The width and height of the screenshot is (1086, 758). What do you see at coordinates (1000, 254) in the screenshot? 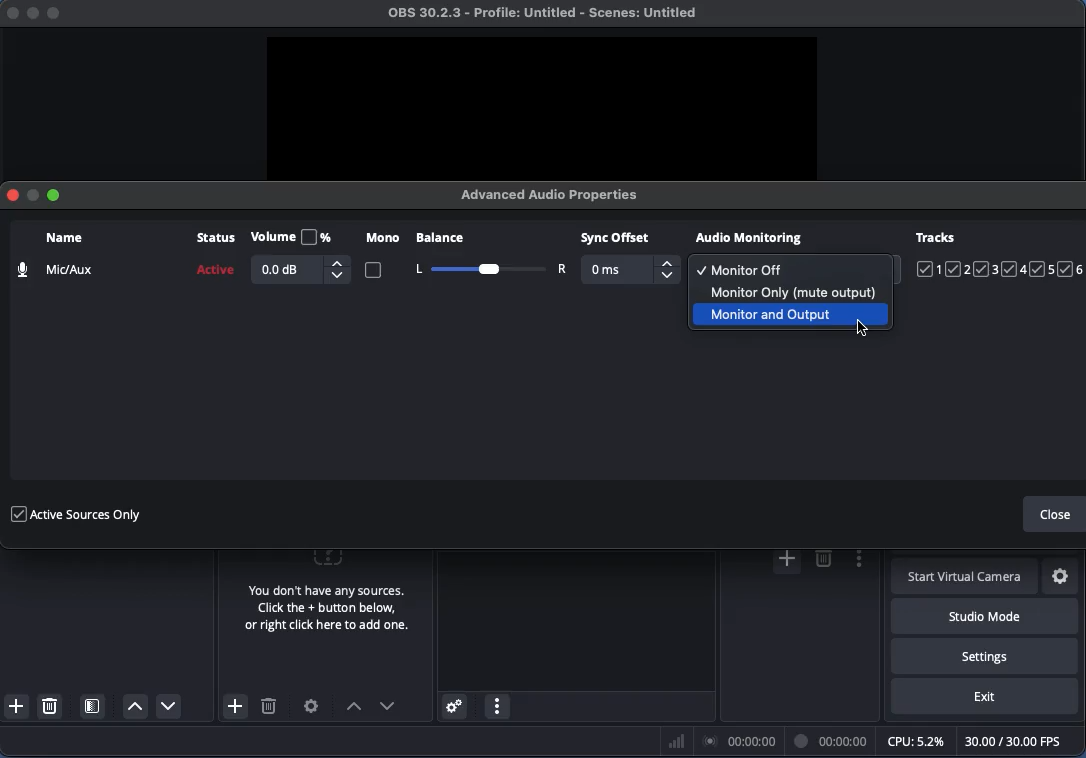
I see `Tracks` at bounding box center [1000, 254].